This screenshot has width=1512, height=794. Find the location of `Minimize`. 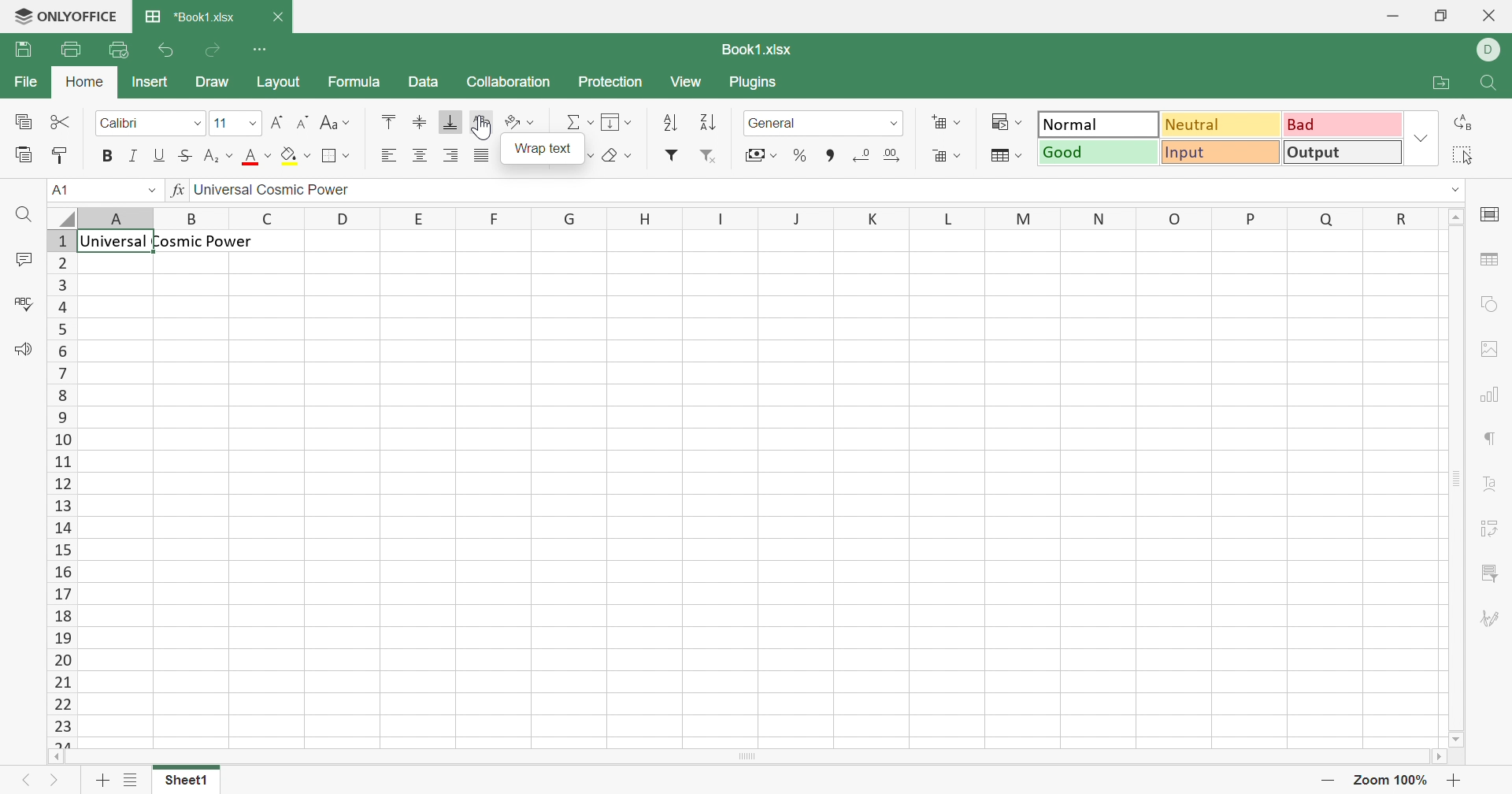

Minimize is located at coordinates (1396, 12).